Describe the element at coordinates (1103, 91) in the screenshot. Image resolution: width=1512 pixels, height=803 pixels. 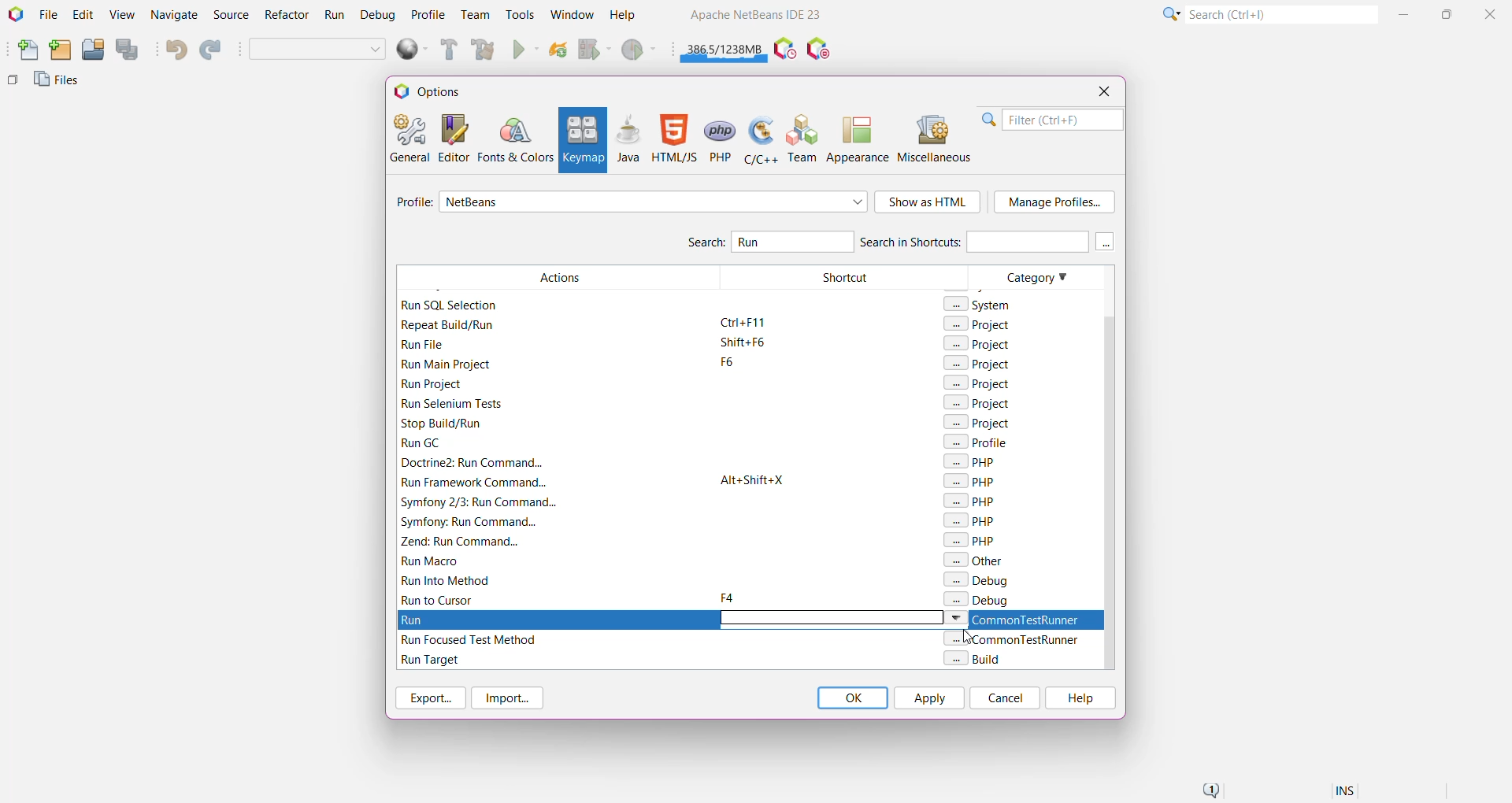
I see `Close` at that location.